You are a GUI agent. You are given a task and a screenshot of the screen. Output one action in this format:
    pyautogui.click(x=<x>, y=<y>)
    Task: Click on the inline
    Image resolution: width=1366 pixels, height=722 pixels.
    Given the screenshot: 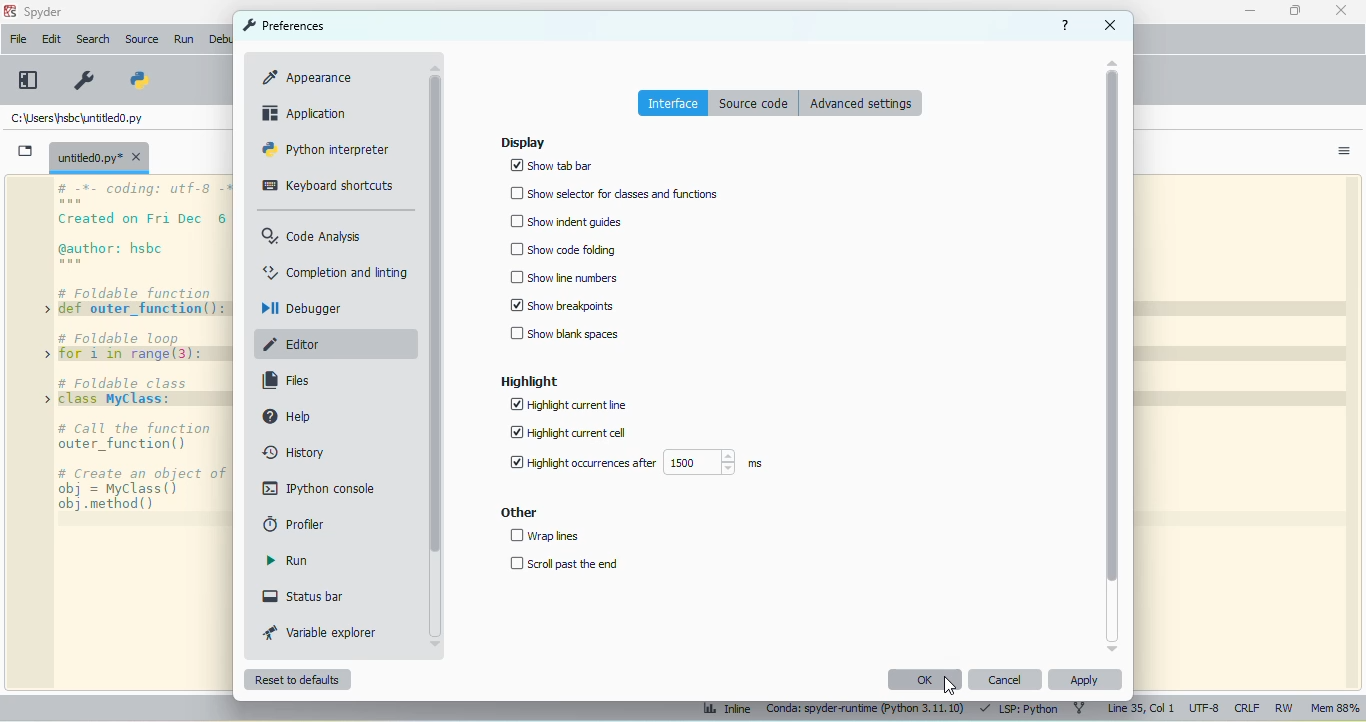 What is the action you would take?
    pyautogui.click(x=725, y=711)
    